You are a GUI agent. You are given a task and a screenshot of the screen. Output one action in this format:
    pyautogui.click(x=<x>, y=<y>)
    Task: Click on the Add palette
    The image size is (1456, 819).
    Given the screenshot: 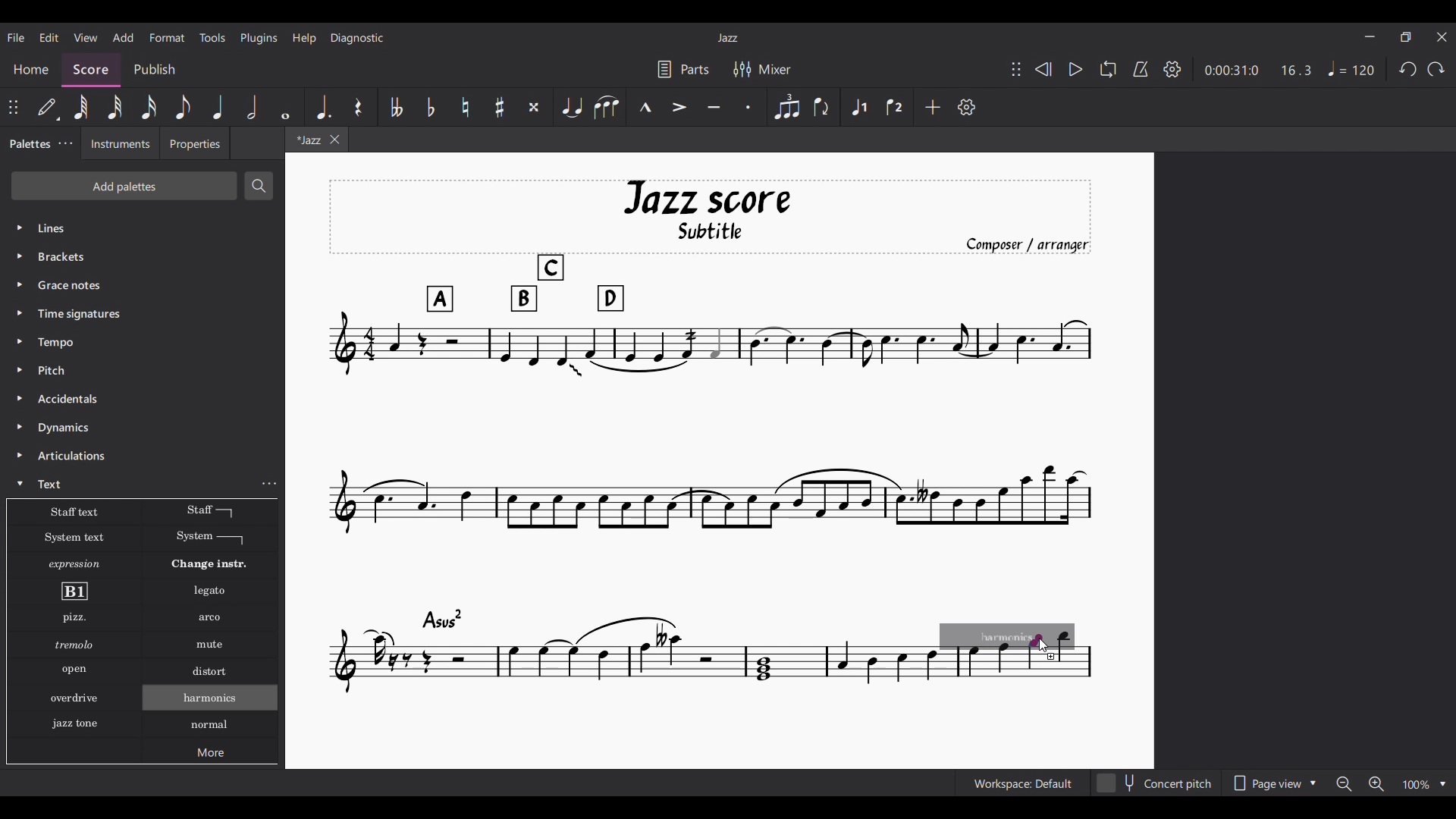 What is the action you would take?
    pyautogui.click(x=124, y=186)
    